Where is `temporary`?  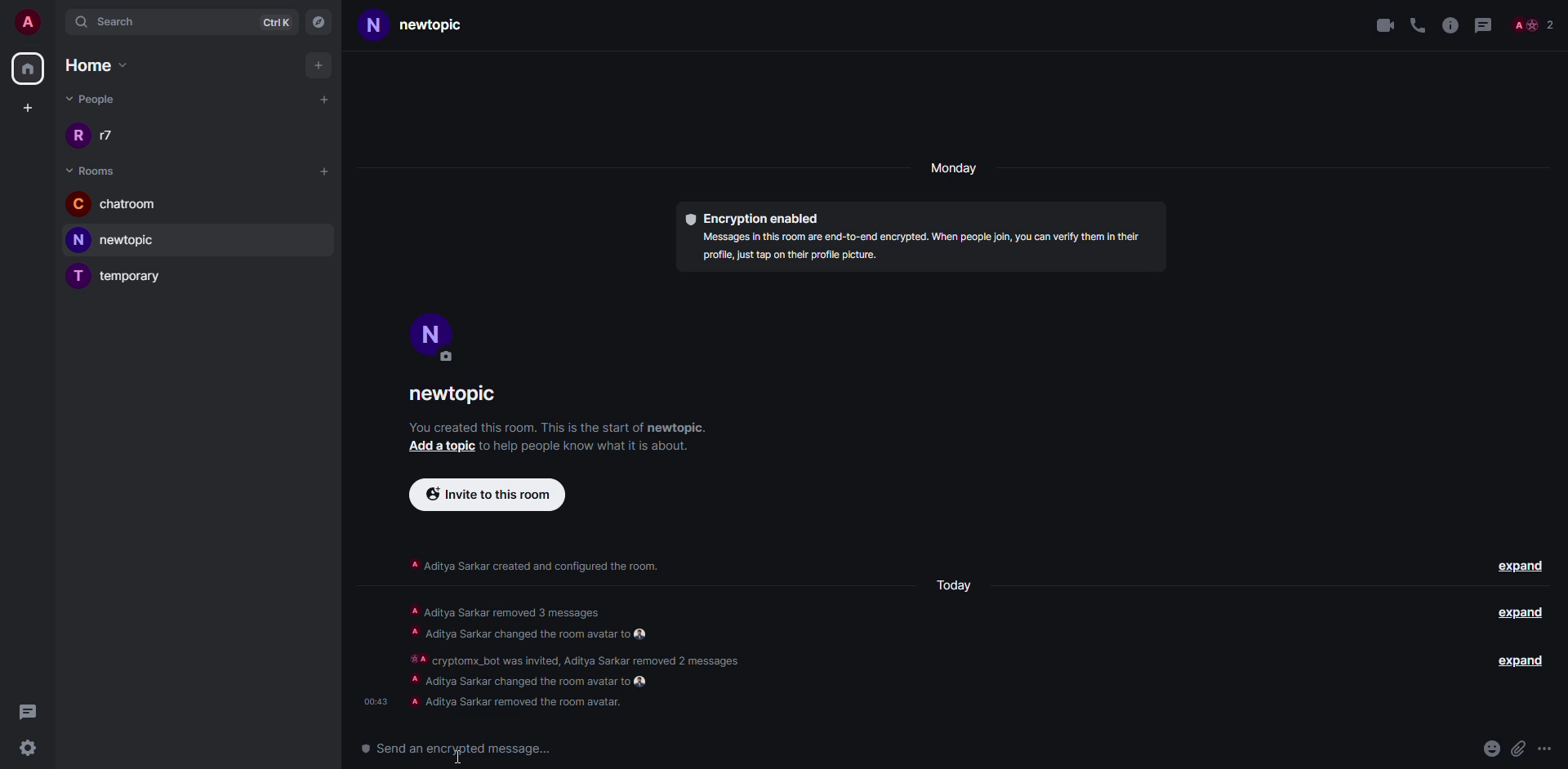
temporary is located at coordinates (119, 278).